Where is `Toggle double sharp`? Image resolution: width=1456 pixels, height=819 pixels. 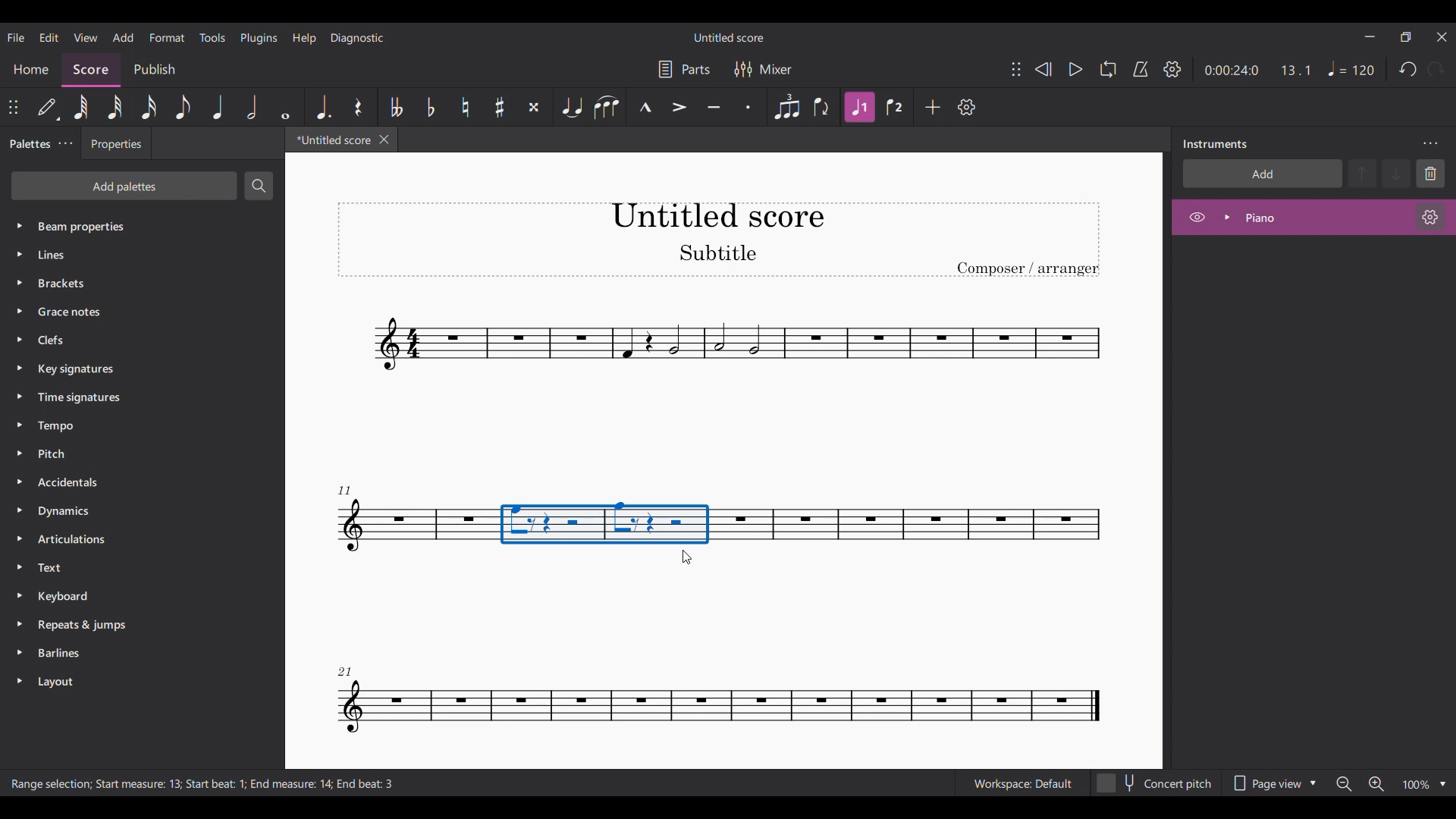 Toggle double sharp is located at coordinates (535, 107).